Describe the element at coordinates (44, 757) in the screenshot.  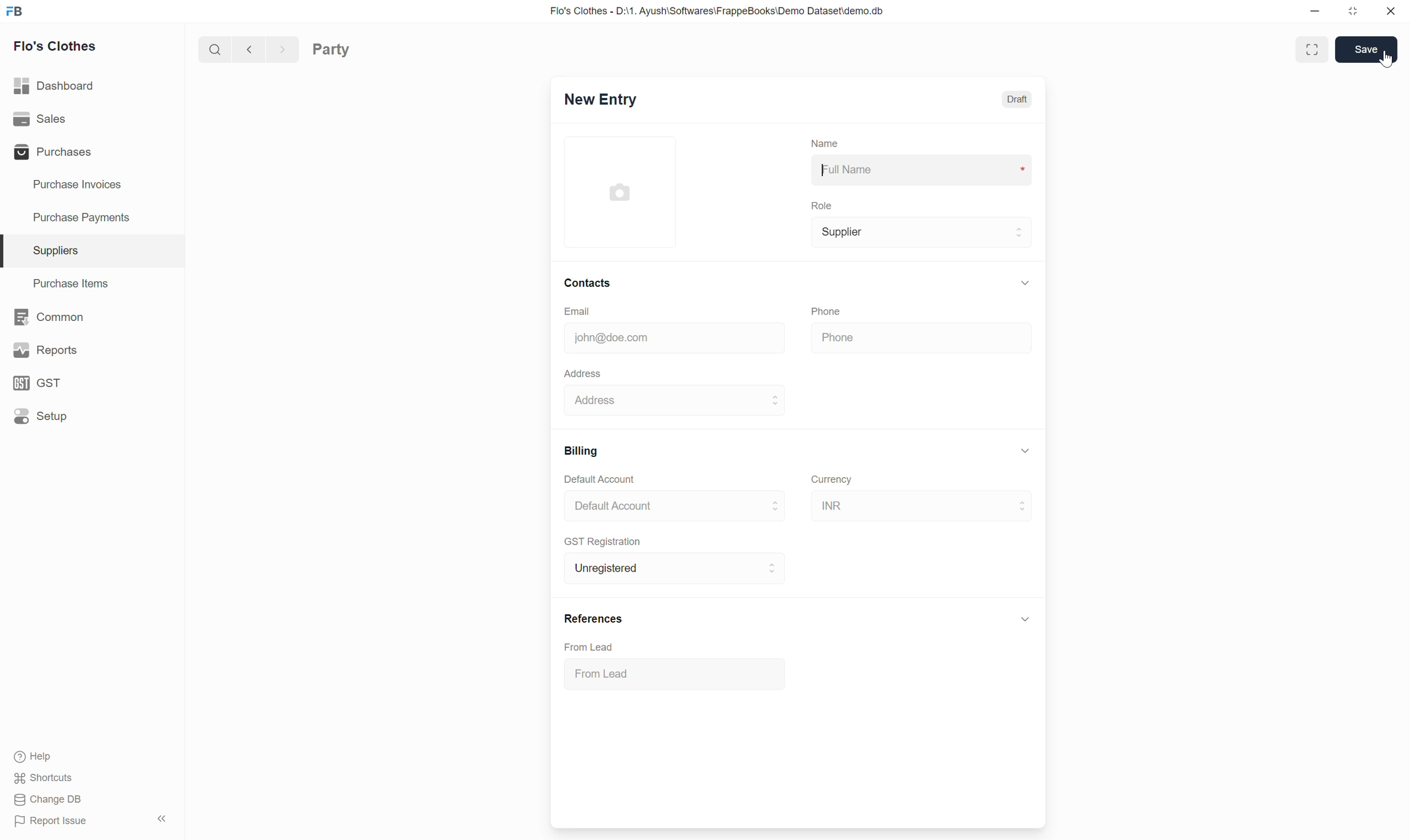
I see `Help` at that location.